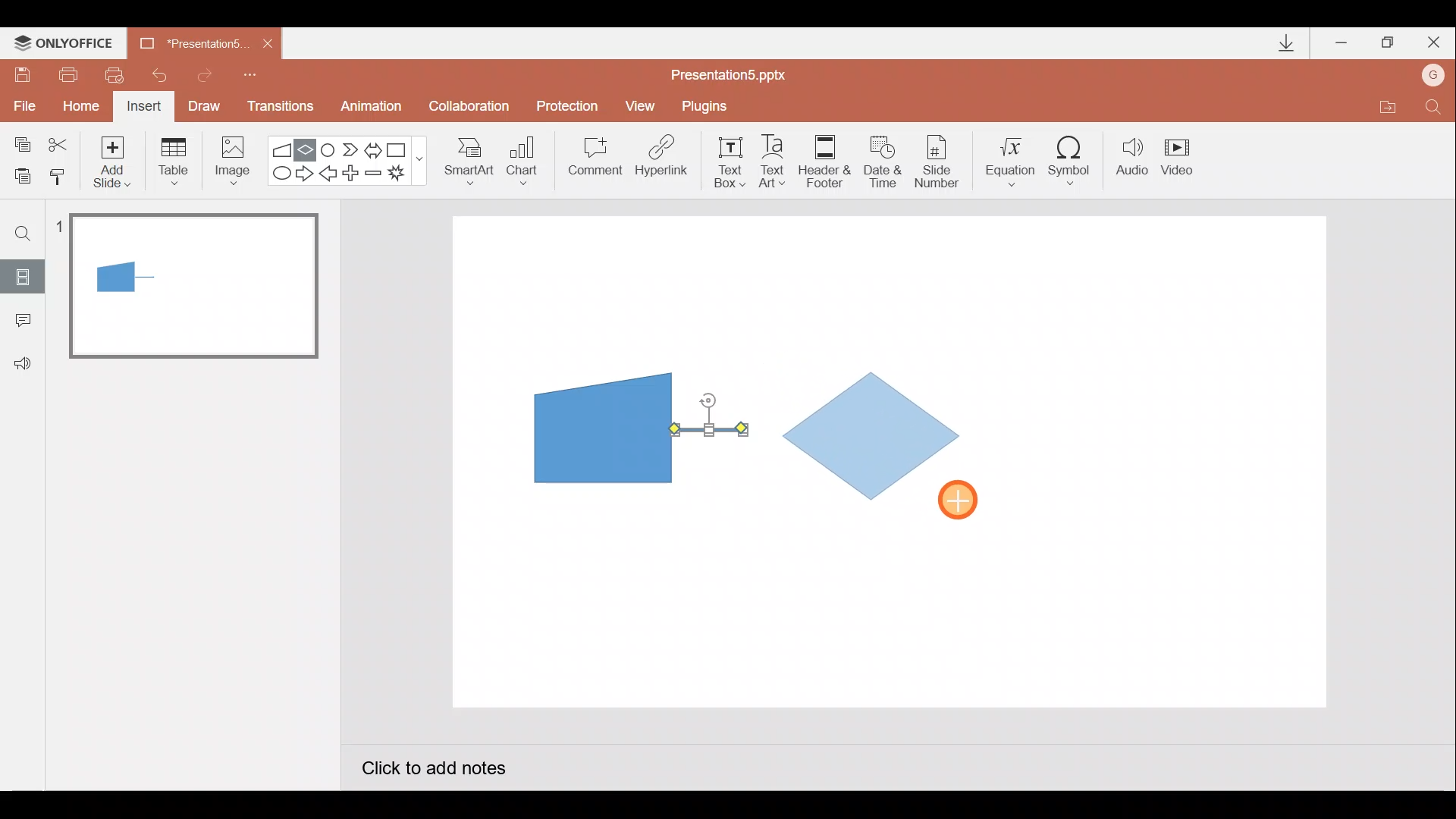 This screenshot has height=819, width=1456. Describe the element at coordinates (1387, 109) in the screenshot. I see `Open file location` at that location.